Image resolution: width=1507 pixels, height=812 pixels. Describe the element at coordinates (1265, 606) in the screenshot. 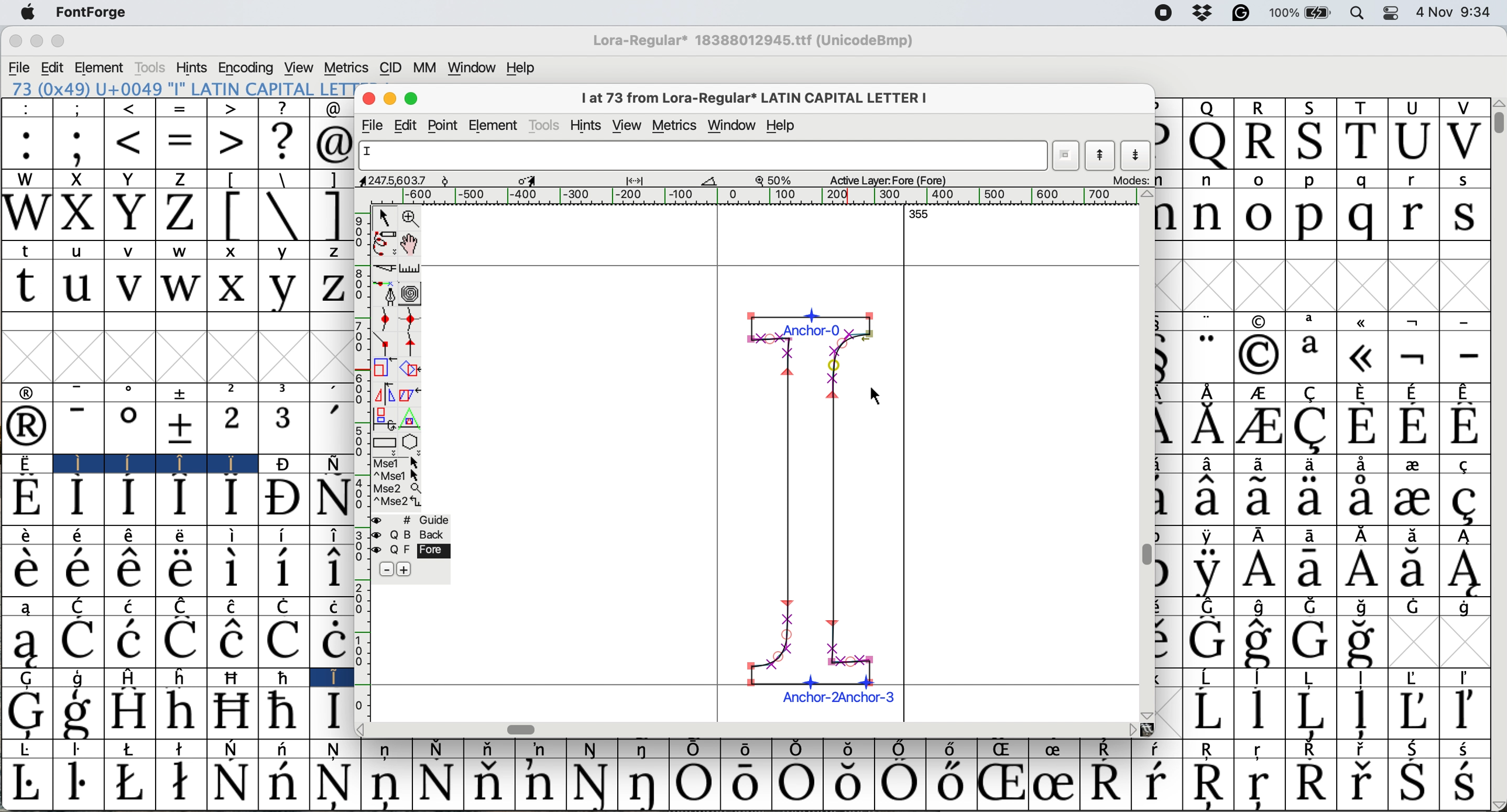

I see `Symbol` at that location.